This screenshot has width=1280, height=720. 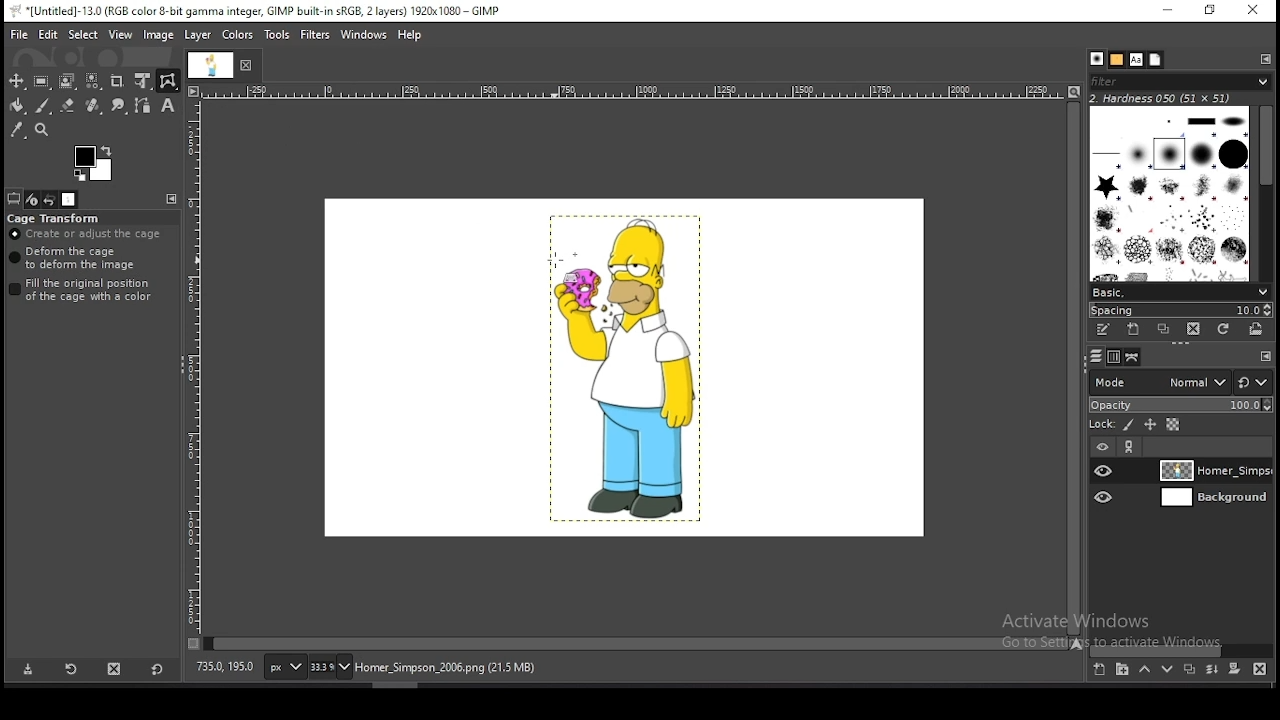 I want to click on create a new layer group, so click(x=1123, y=670).